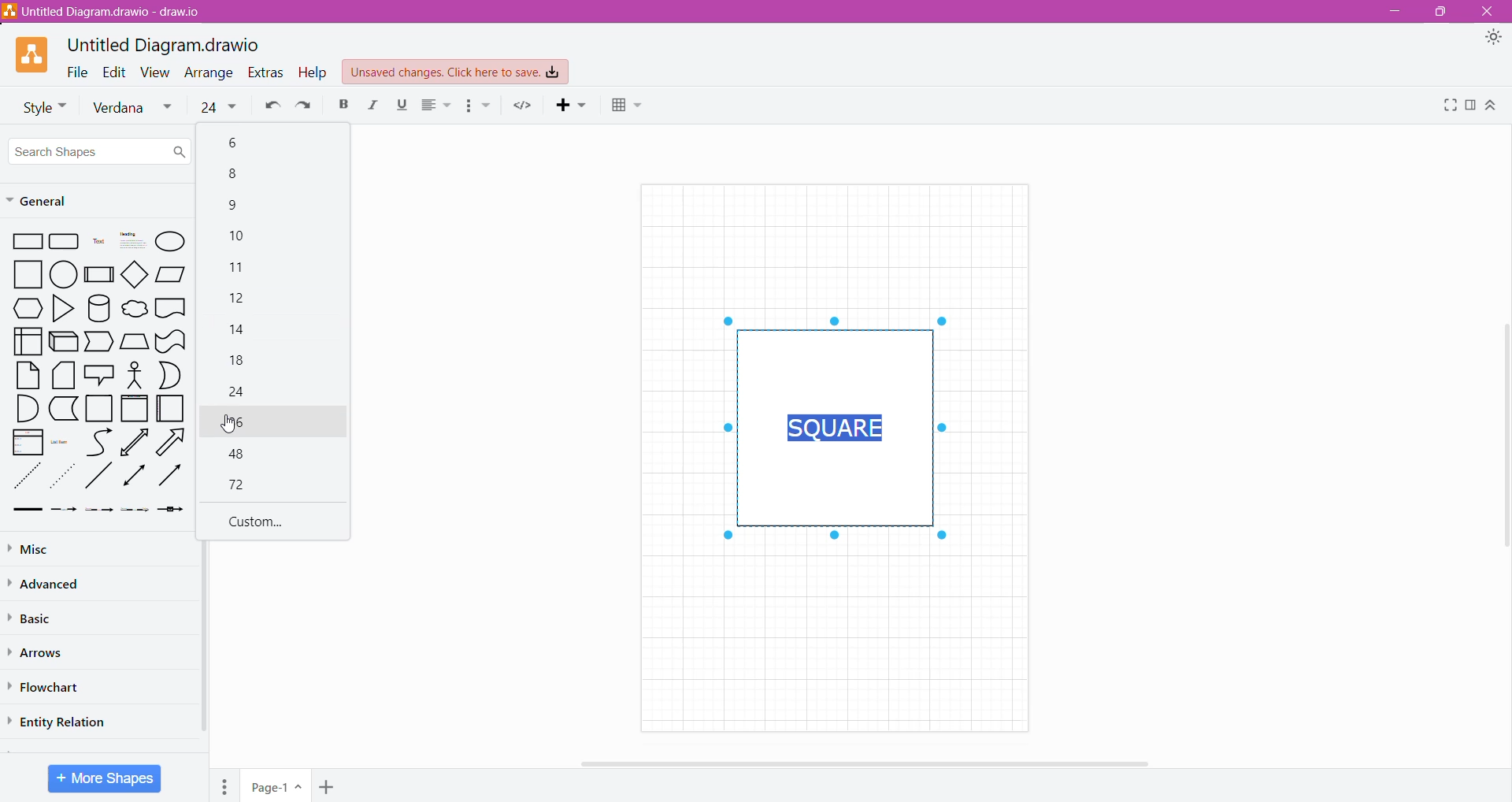 The height and width of the screenshot is (802, 1512). I want to click on Undo, so click(269, 109).